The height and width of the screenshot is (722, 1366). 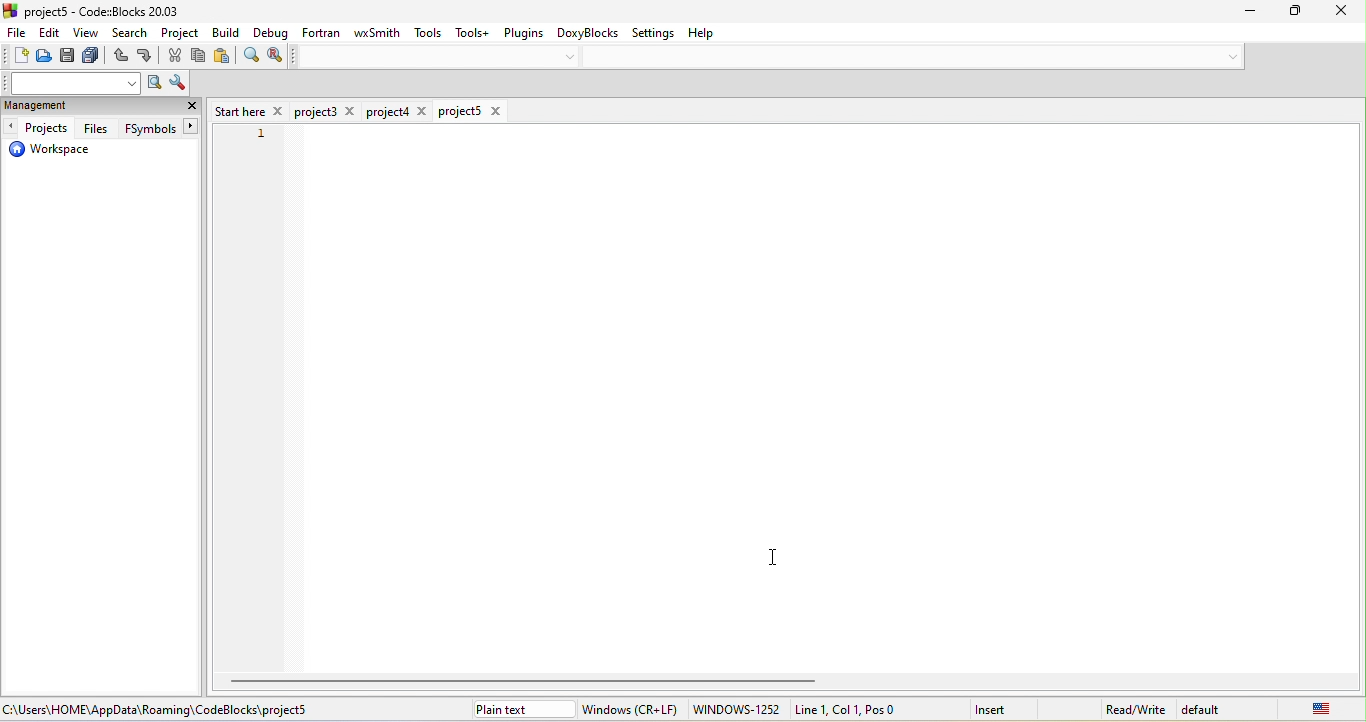 What do you see at coordinates (228, 32) in the screenshot?
I see `build` at bounding box center [228, 32].